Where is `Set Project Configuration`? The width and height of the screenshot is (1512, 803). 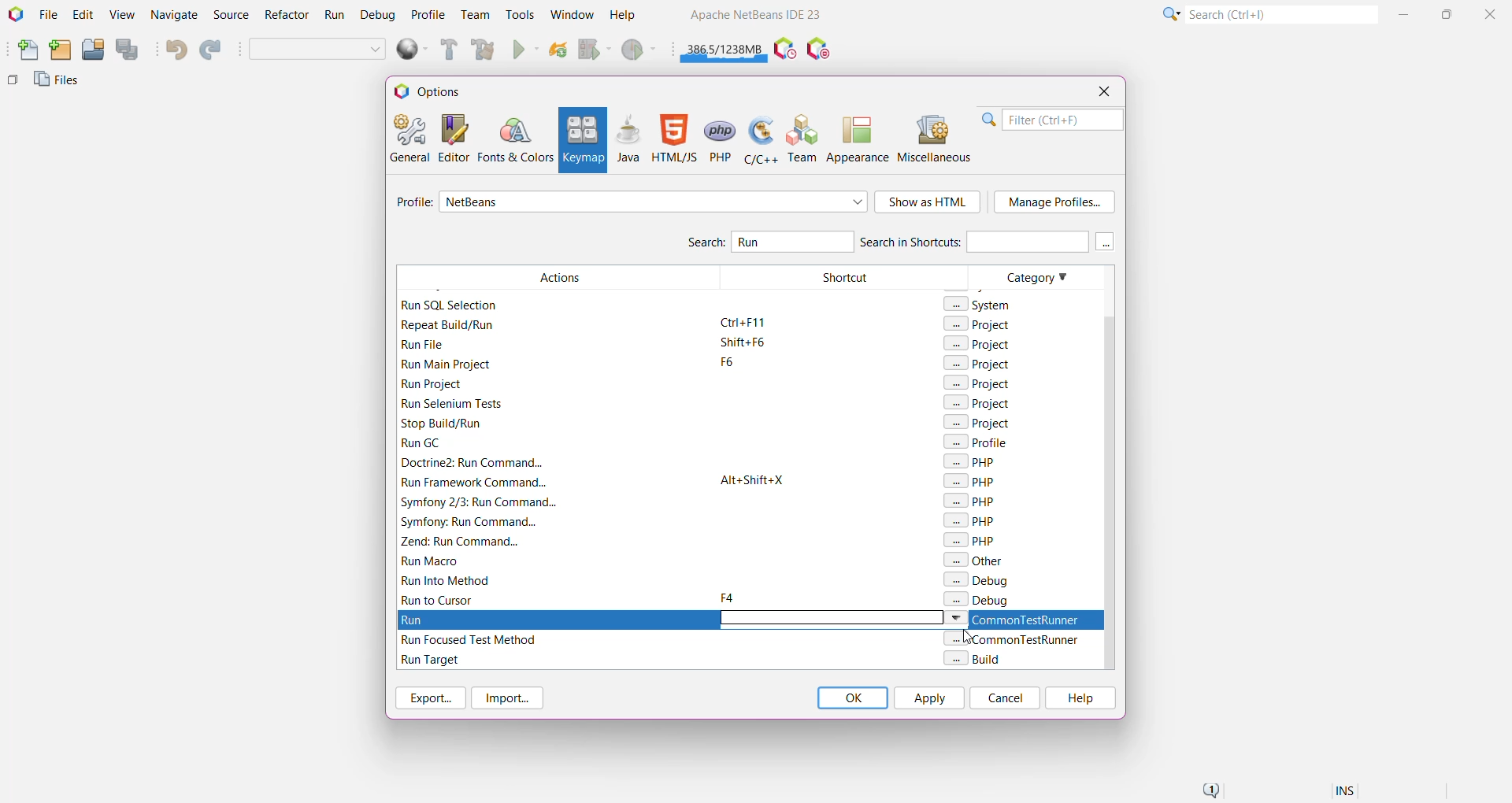
Set Project Configuration is located at coordinates (318, 50).